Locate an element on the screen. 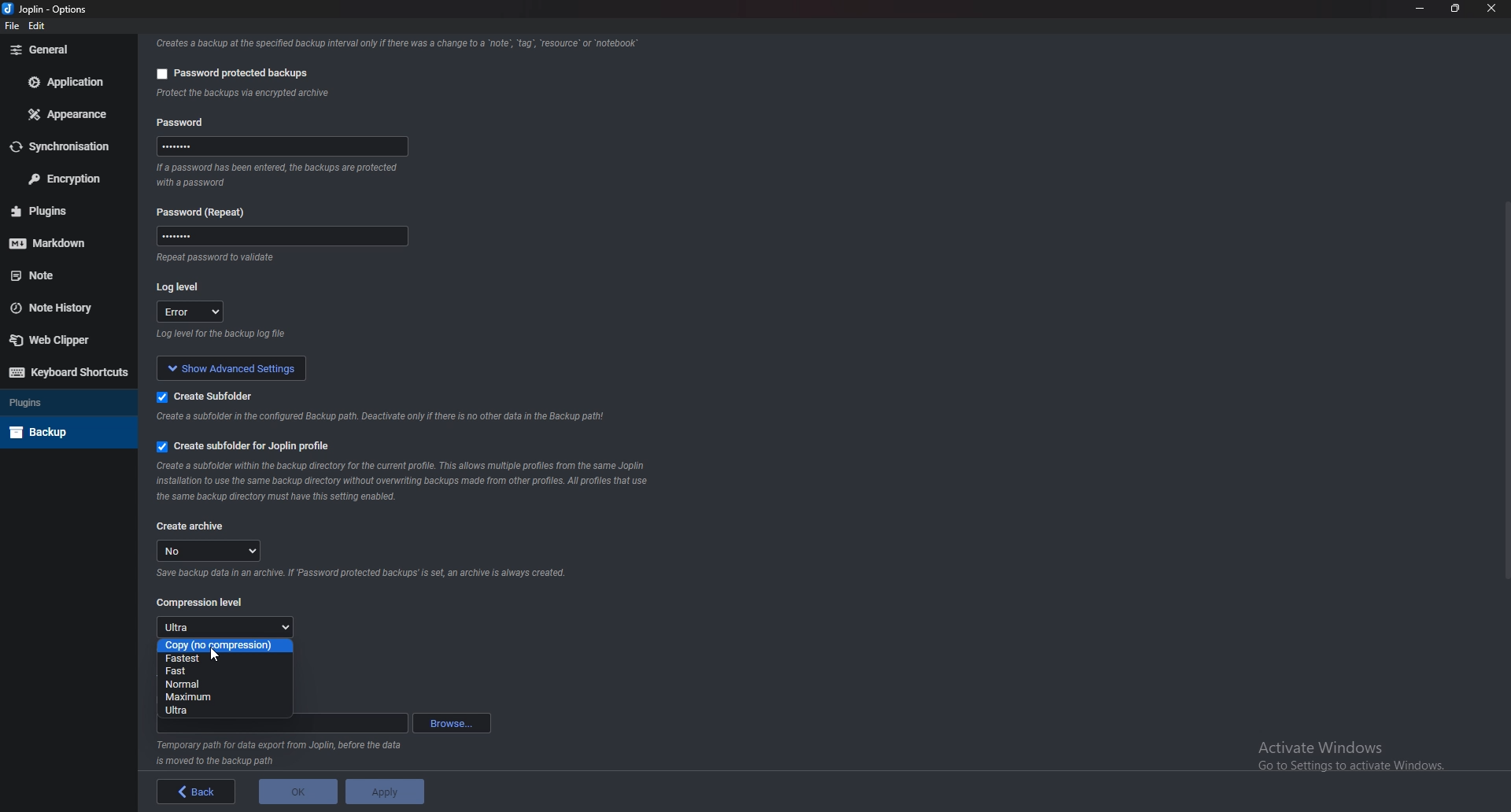 This screenshot has width=1511, height=812. Info is located at coordinates (406, 481).